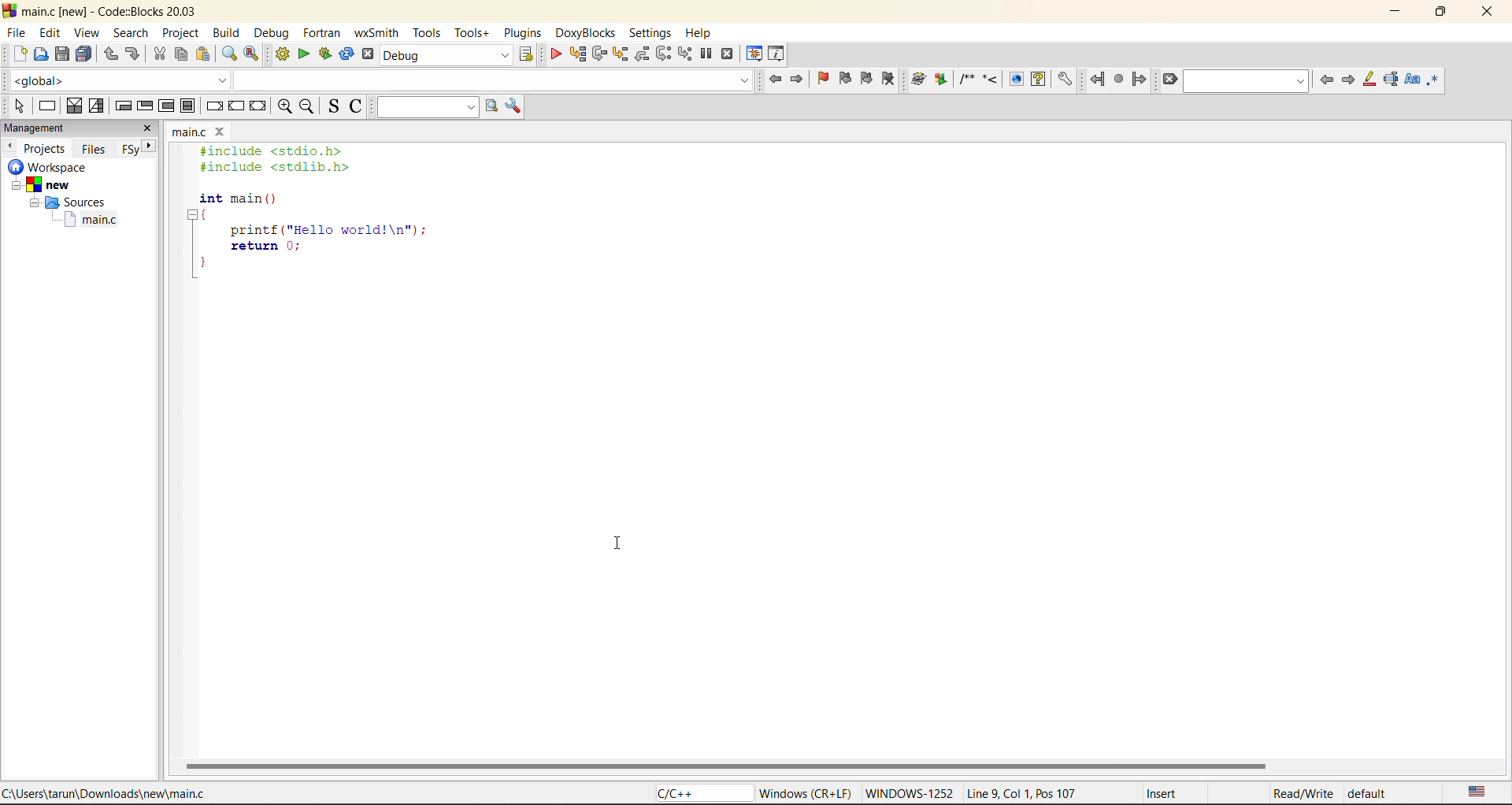 The height and width of the screenshot is (805, 1512). I want to click on default, so click(1370, 792).